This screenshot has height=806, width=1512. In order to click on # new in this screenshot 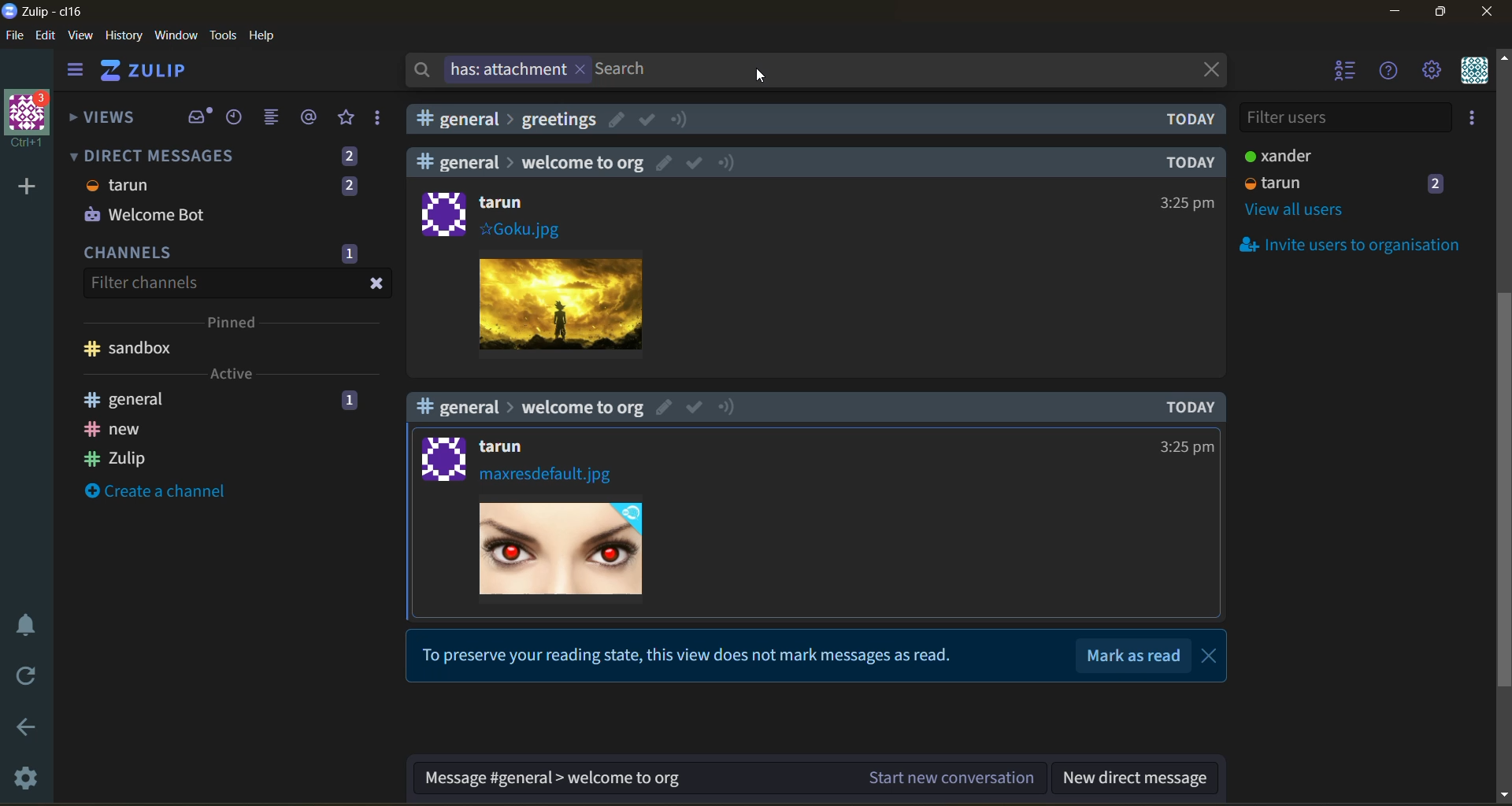, I will do `click(114, 430)`.